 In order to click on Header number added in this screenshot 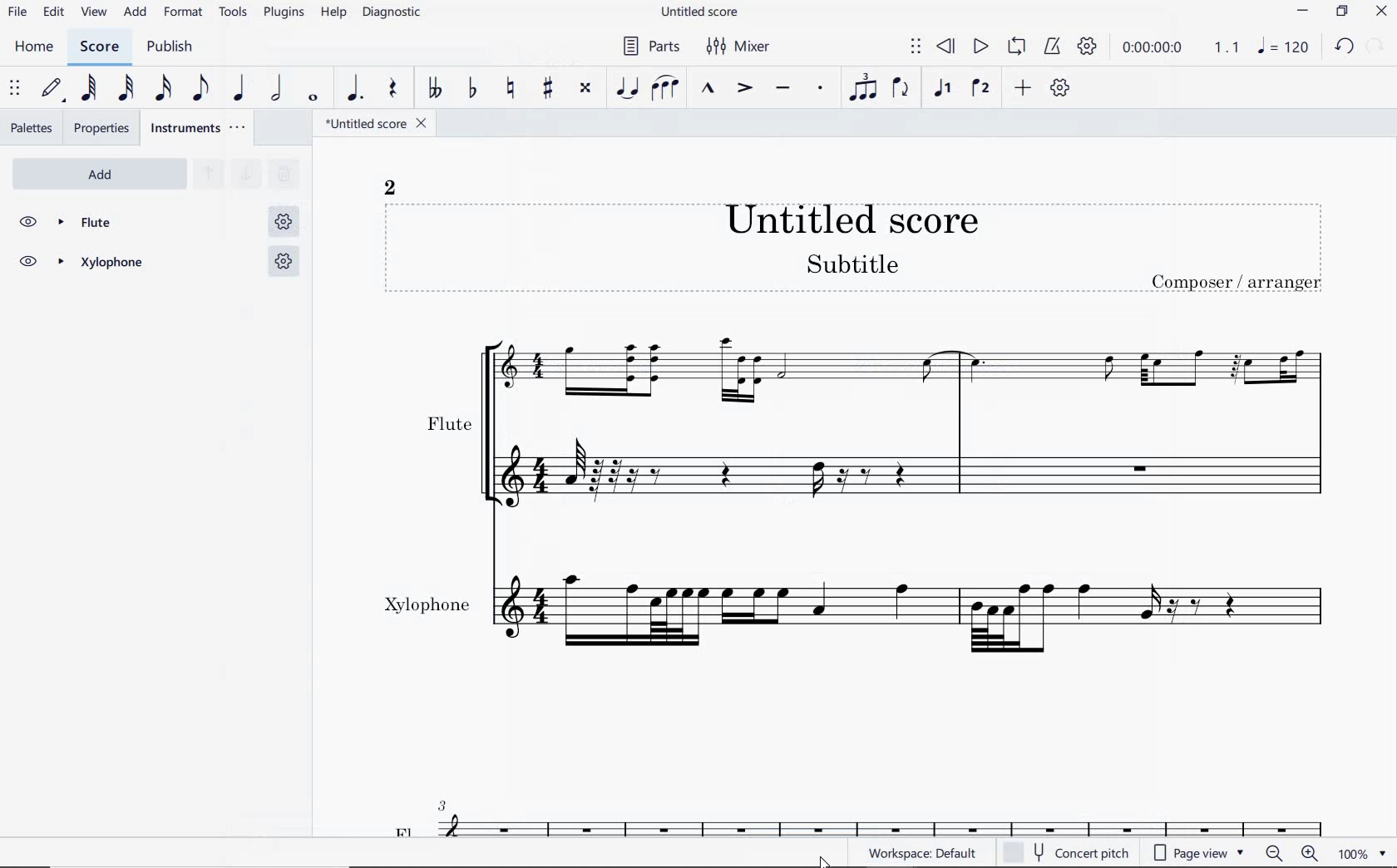, I will do `click(392, 184)`.